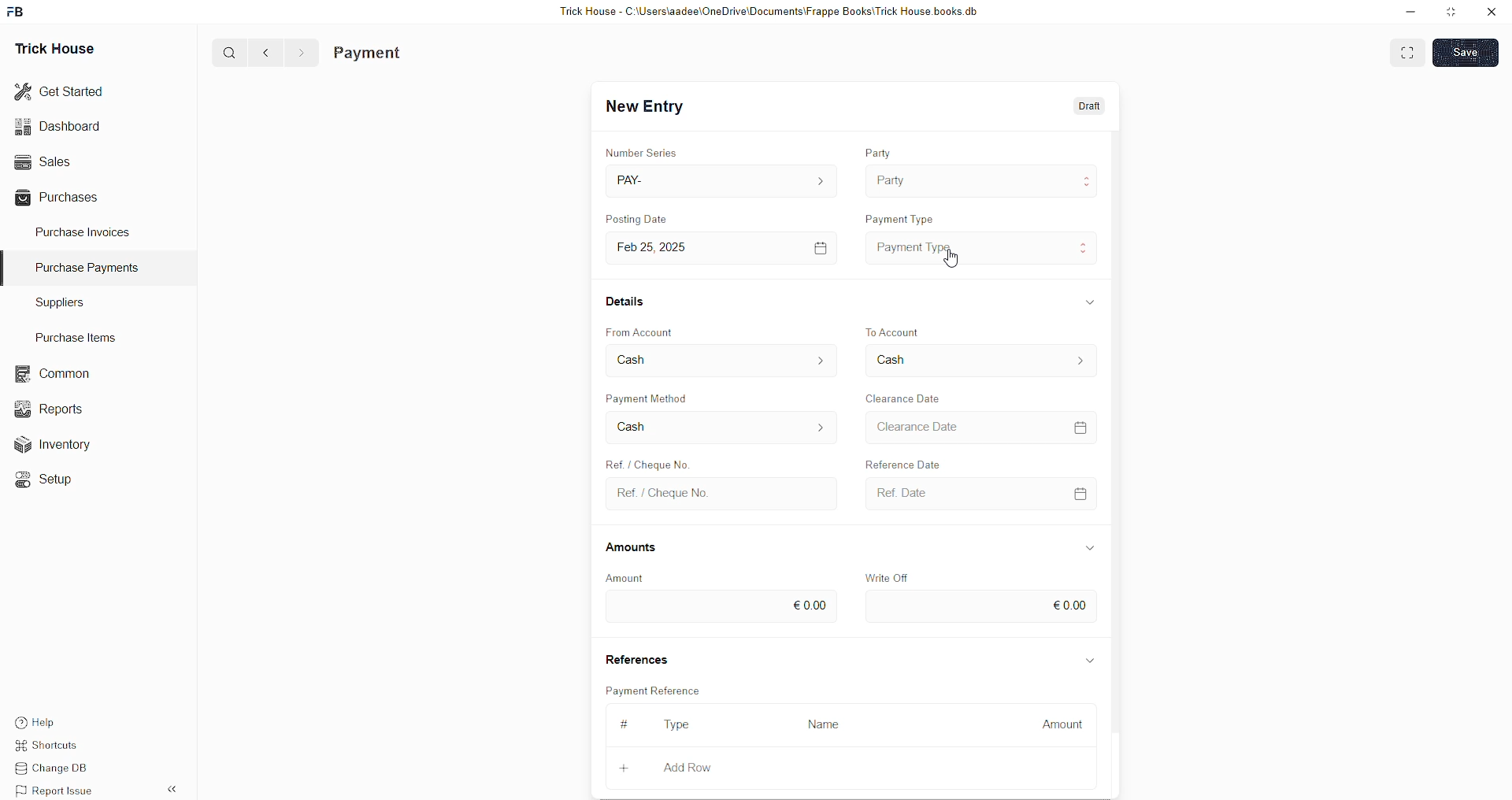 This screenshot has width=1512, height=800. What do you see at coordinates (880, 149) in the screenshot?
I see `Party` at bounding box center [880, 149].